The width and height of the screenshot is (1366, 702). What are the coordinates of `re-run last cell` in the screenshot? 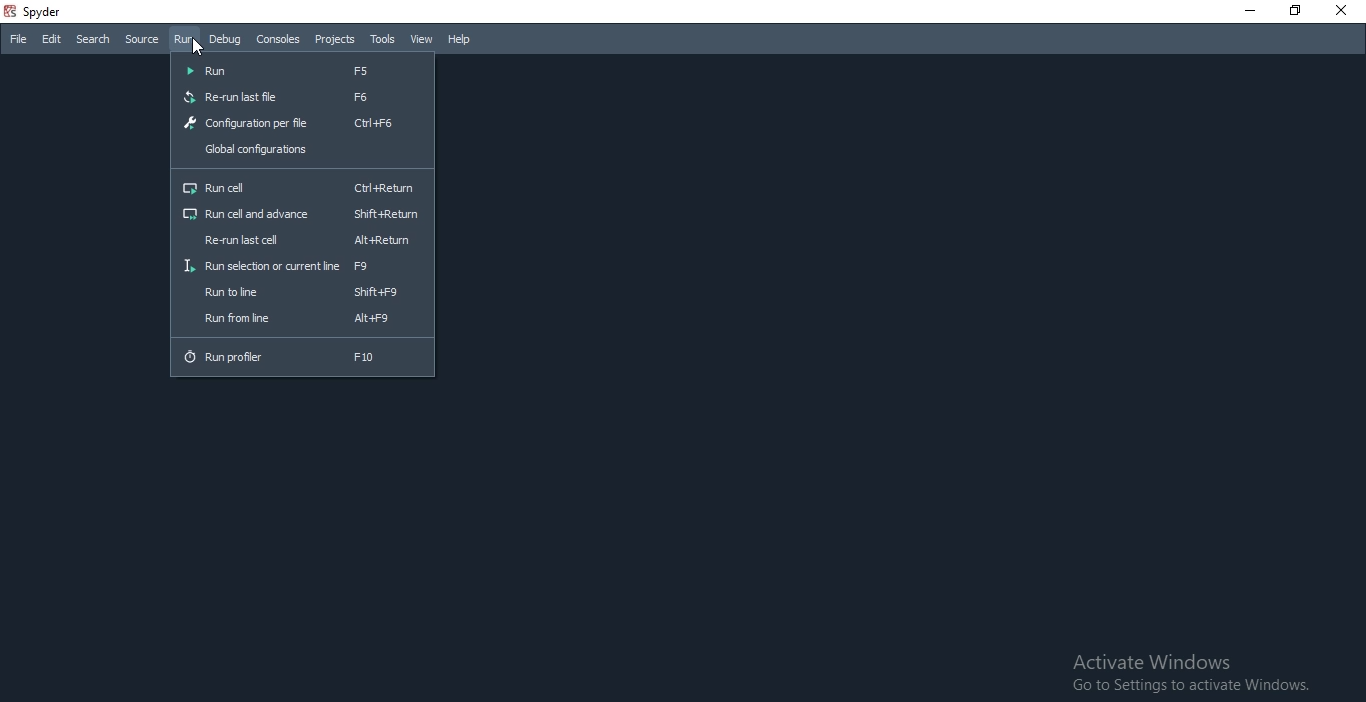 It's located at (301, 240).